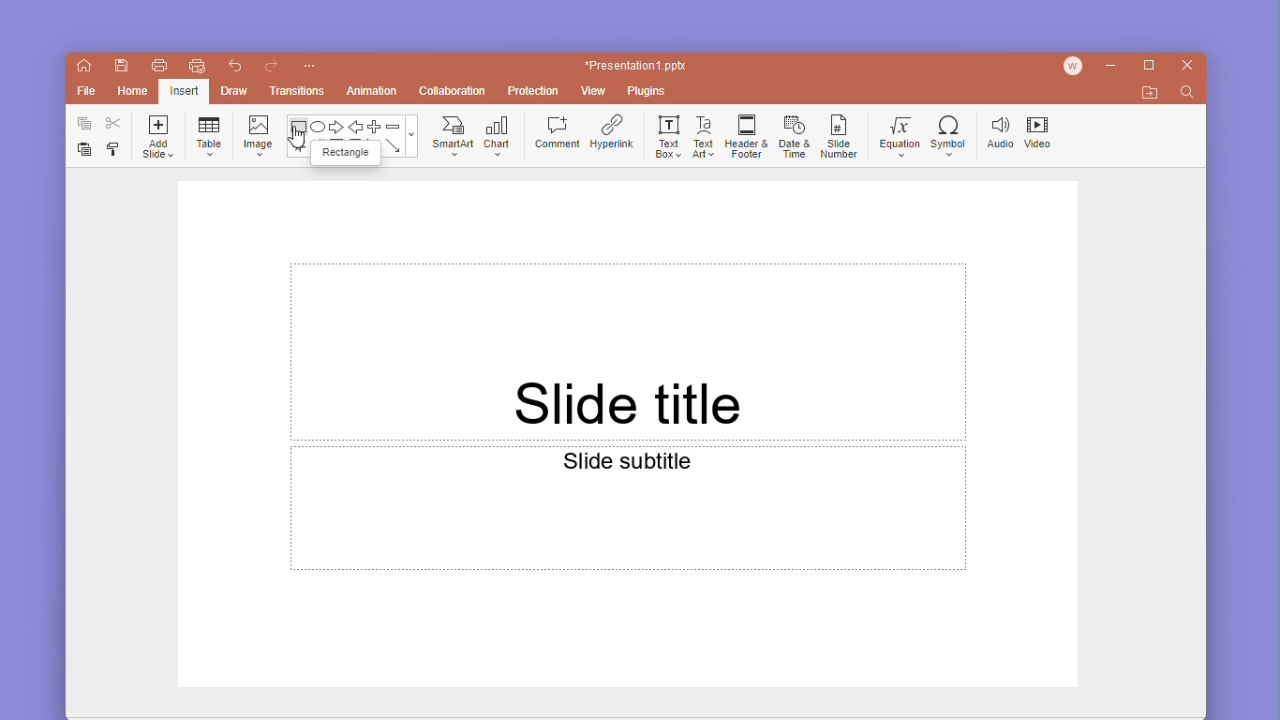  I want to click on table, so click(210, 134).